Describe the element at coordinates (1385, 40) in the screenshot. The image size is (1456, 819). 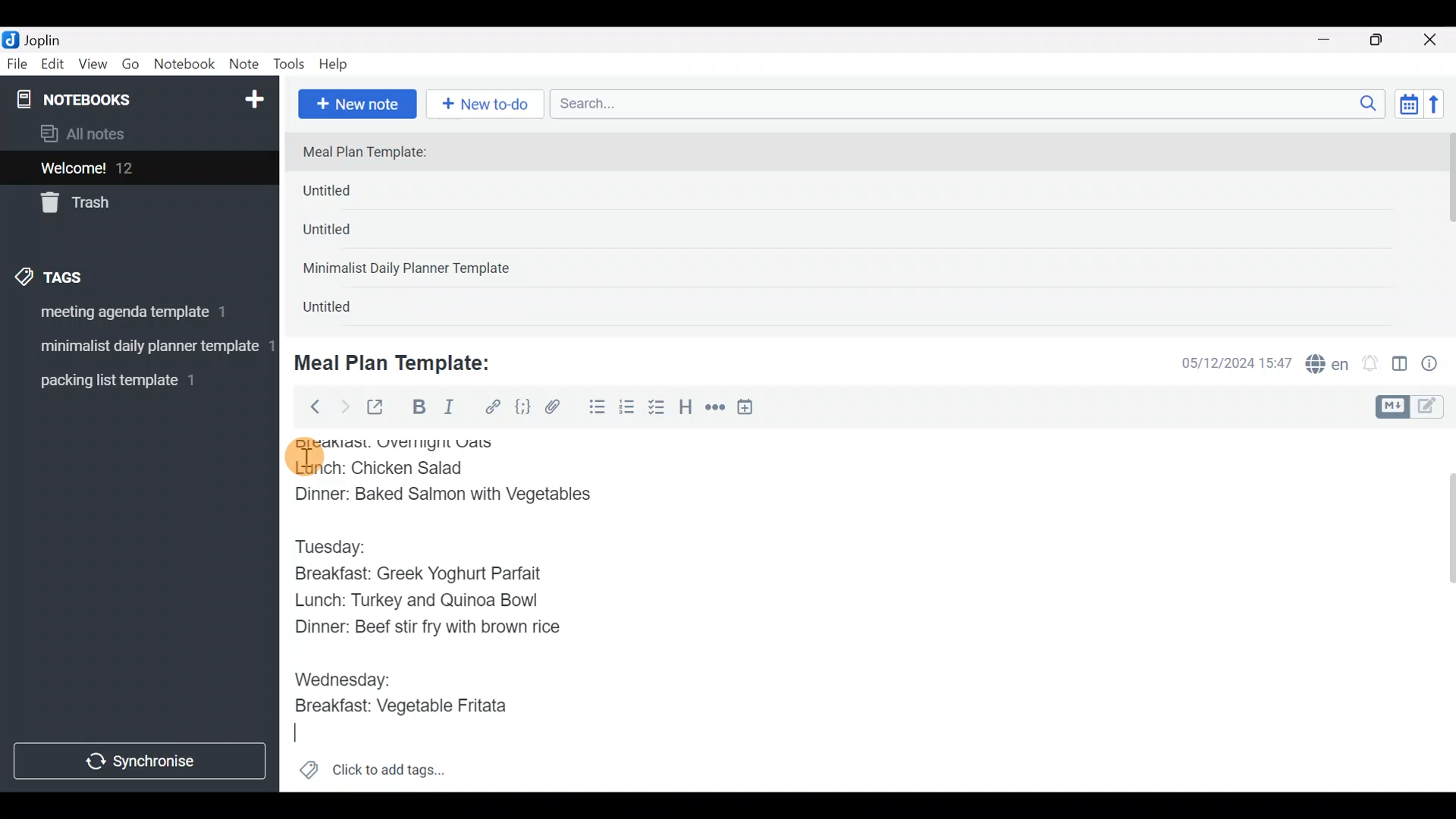
I see `Maximize` at that location.